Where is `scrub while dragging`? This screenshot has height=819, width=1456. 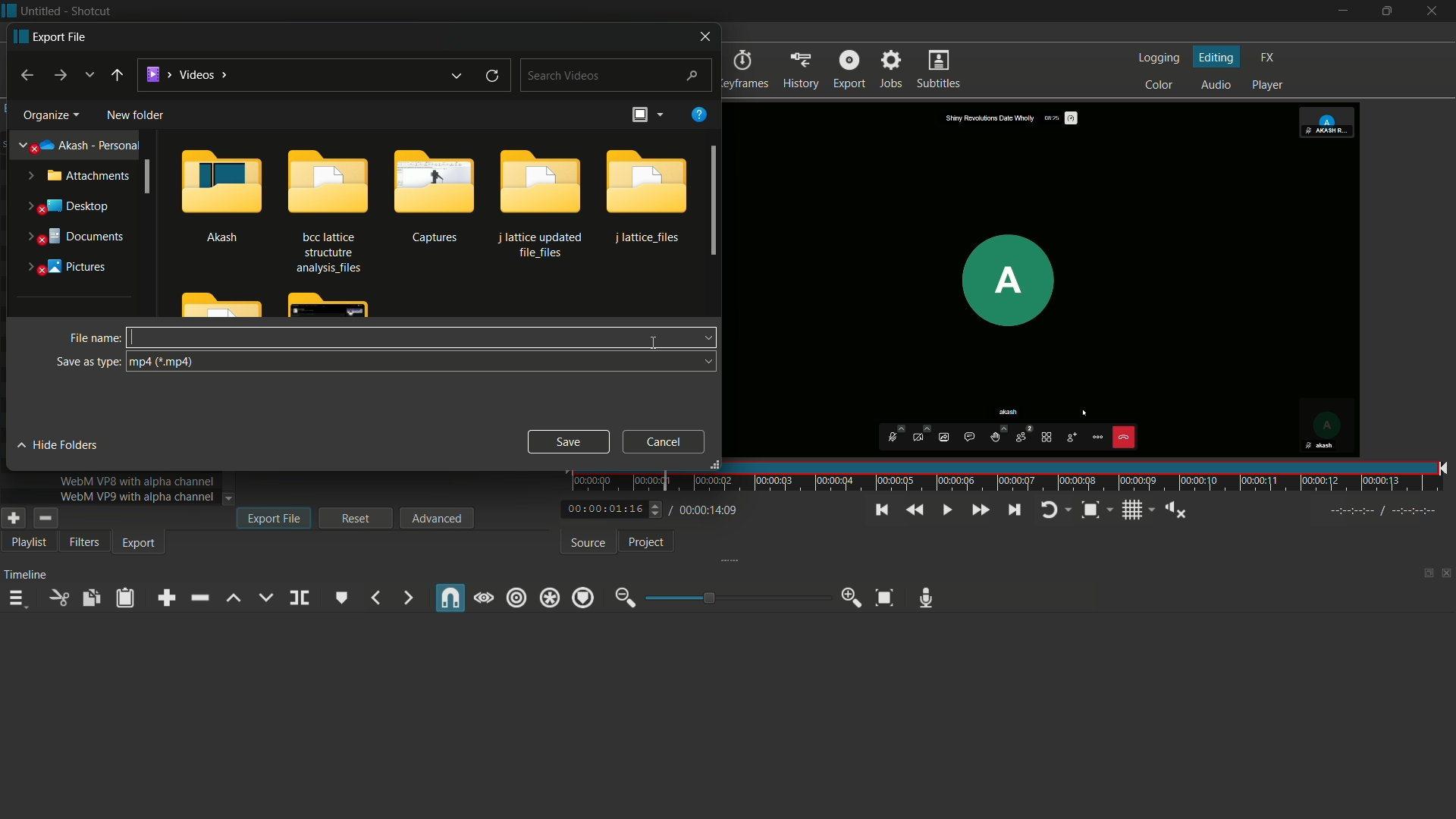
scrub while dragging is located at coordinates (483, 598).